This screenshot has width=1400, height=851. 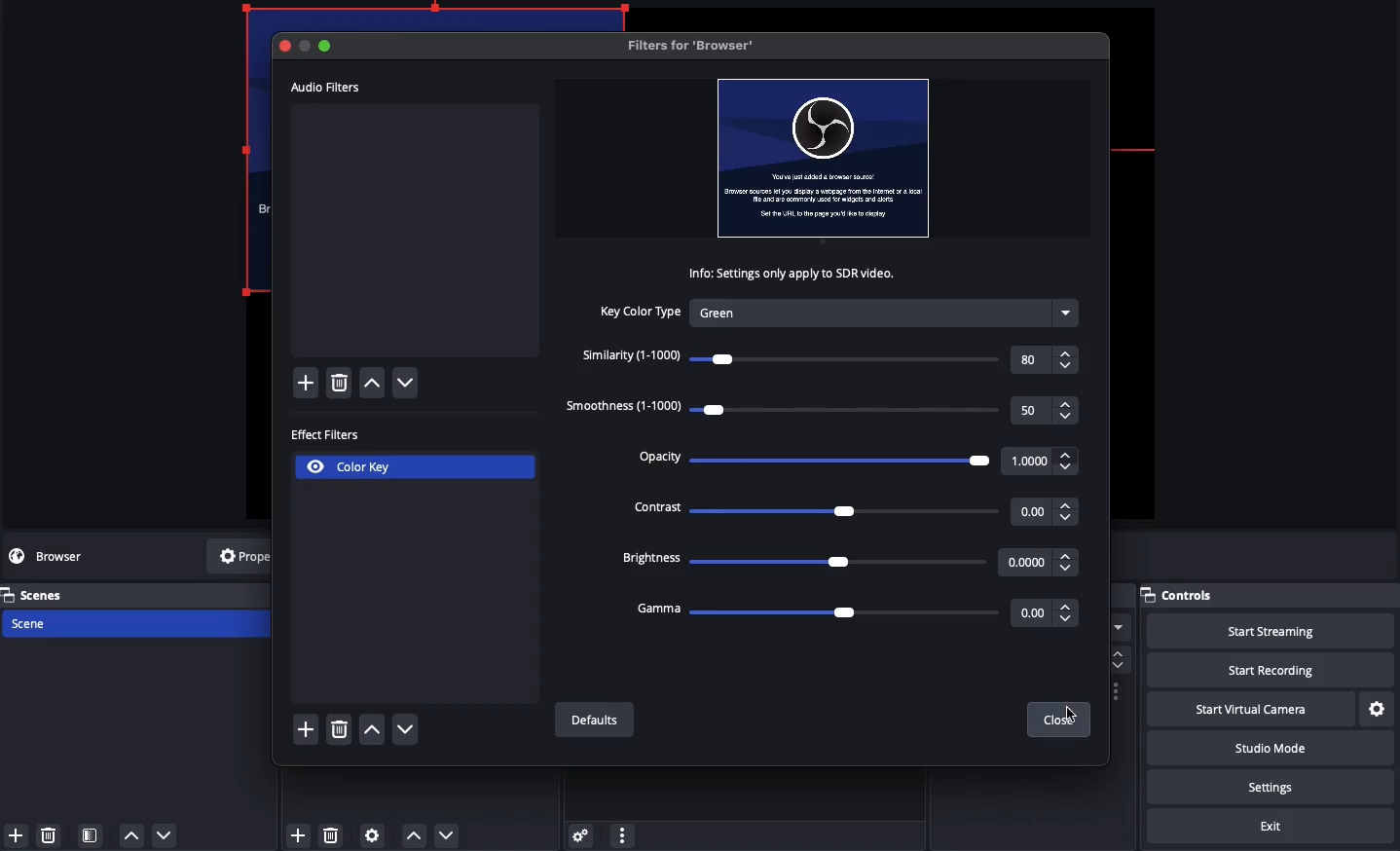 What do you see at coordinates (375, 385) in the screenshot?
I see `up` at bounding box center [375, 385].